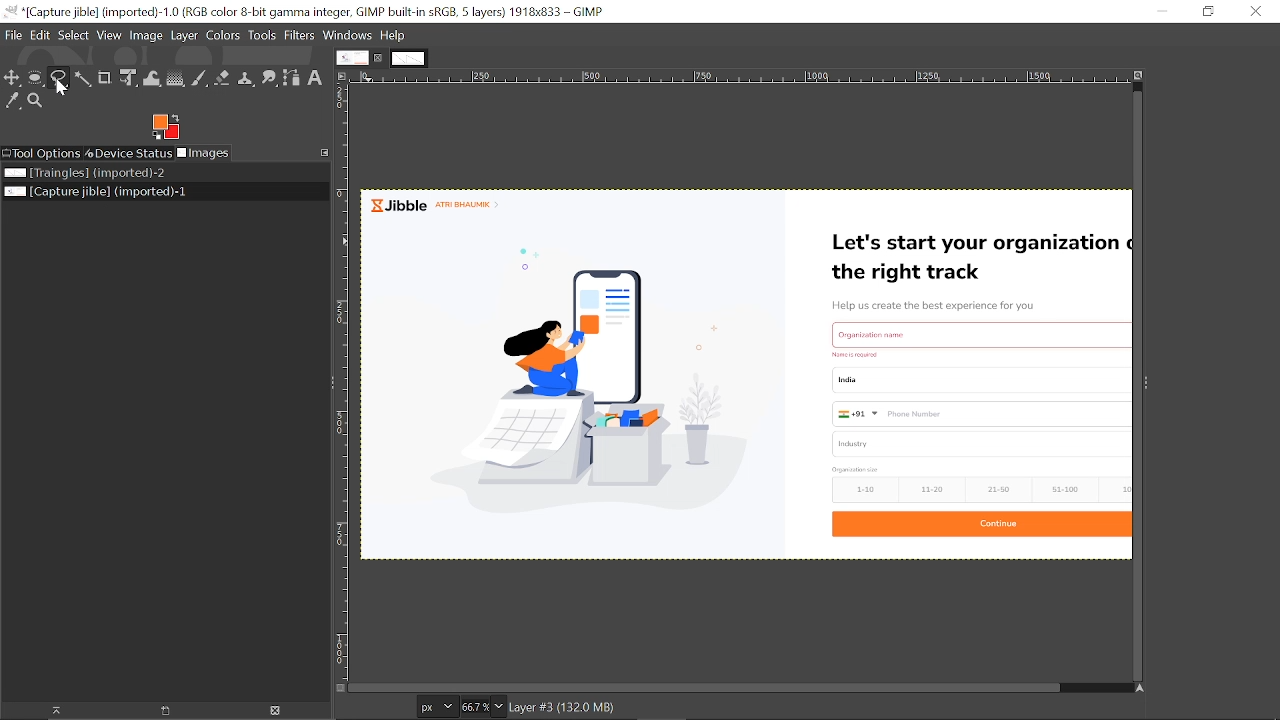 Image resolution: width=1280 pixels, height=720 pixels. Describe the element at coordinates (352, 57) in the screenshot. I see `Current tab` at that location.